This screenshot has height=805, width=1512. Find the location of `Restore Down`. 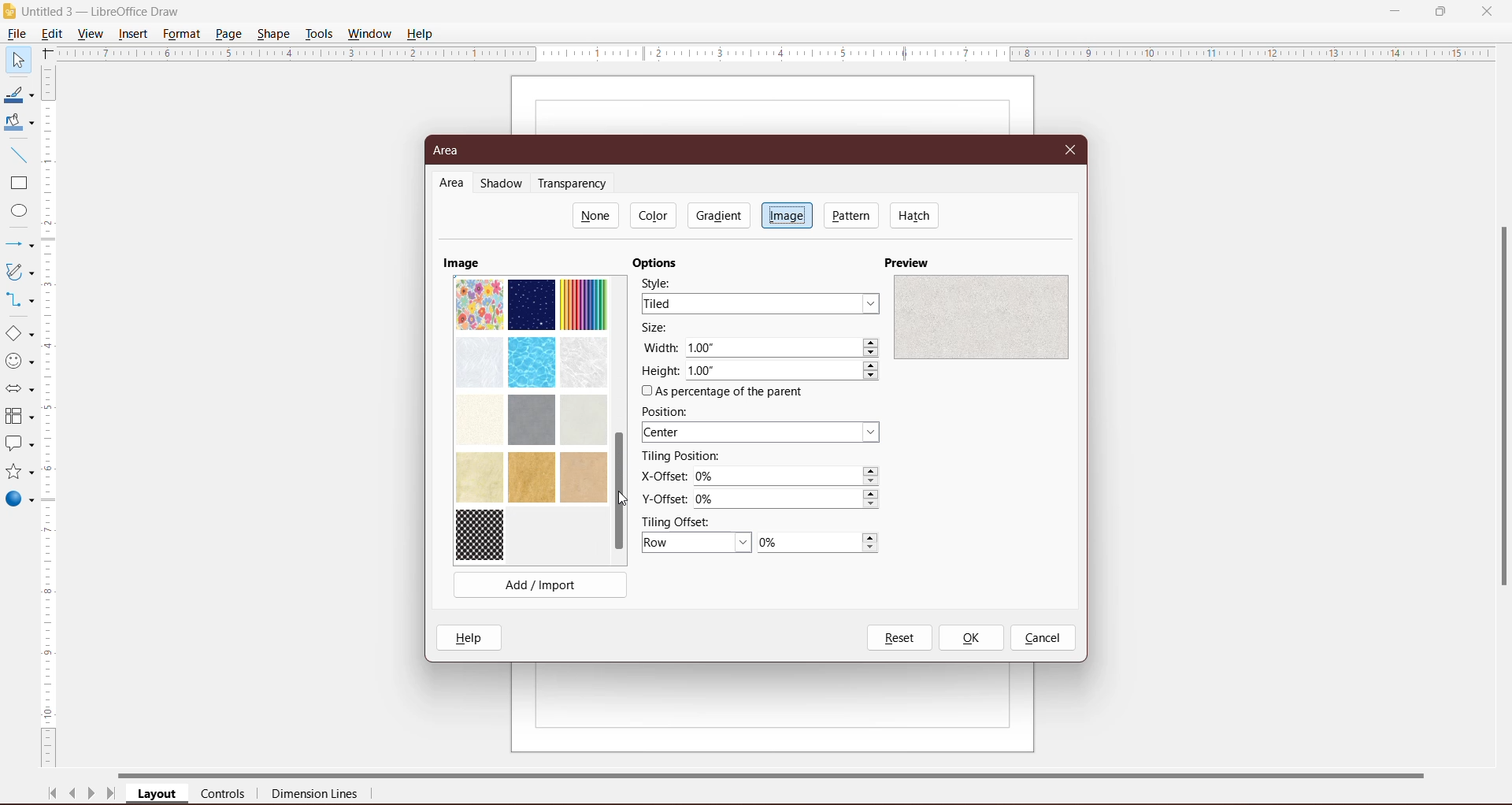

Restore Down is located at coordinates (1440, 10).